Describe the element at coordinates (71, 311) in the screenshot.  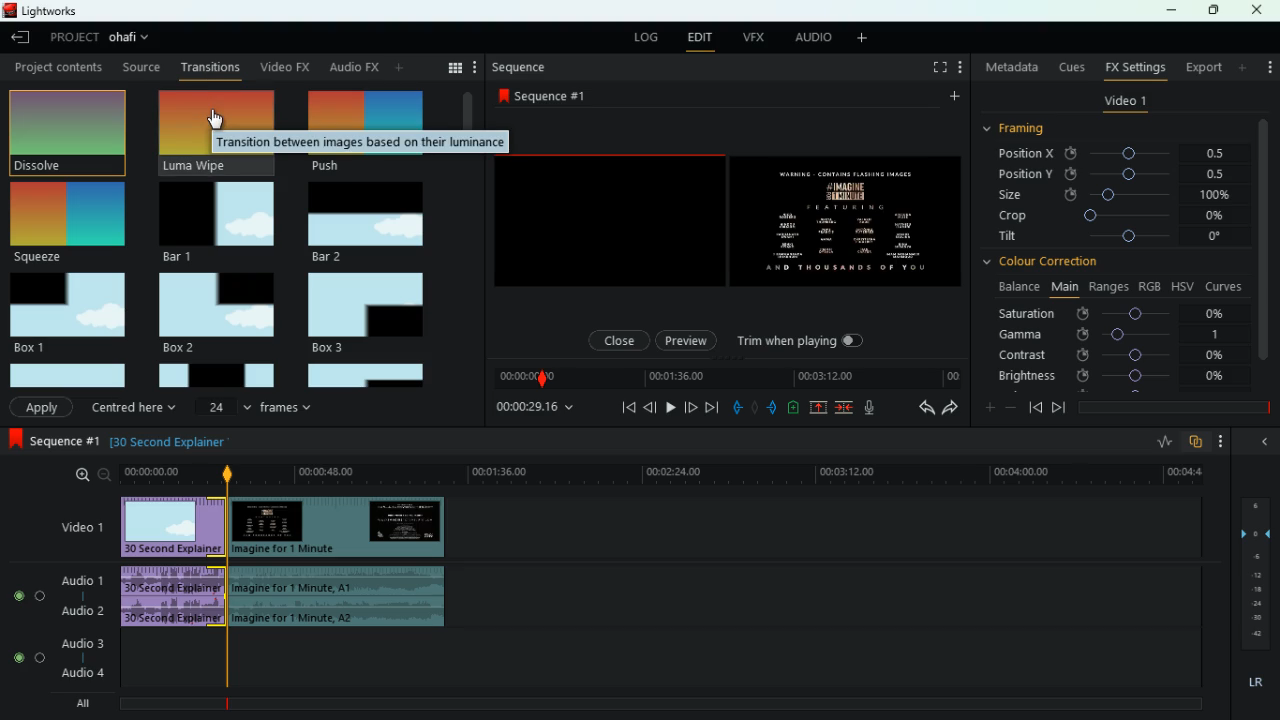
I see `box 1` at that location.